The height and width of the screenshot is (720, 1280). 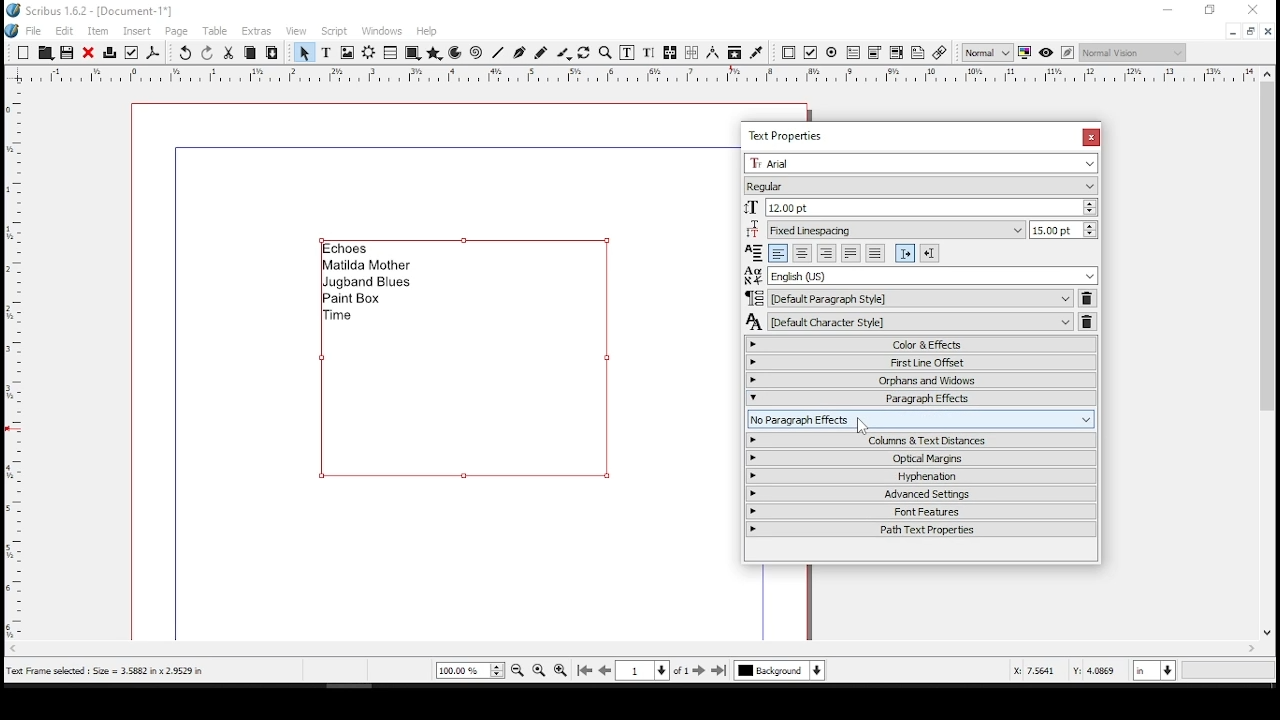 What do you see at coordinates (921, 344) in the screenshot?
I see `color and effects` at bounding box center [921, 344].